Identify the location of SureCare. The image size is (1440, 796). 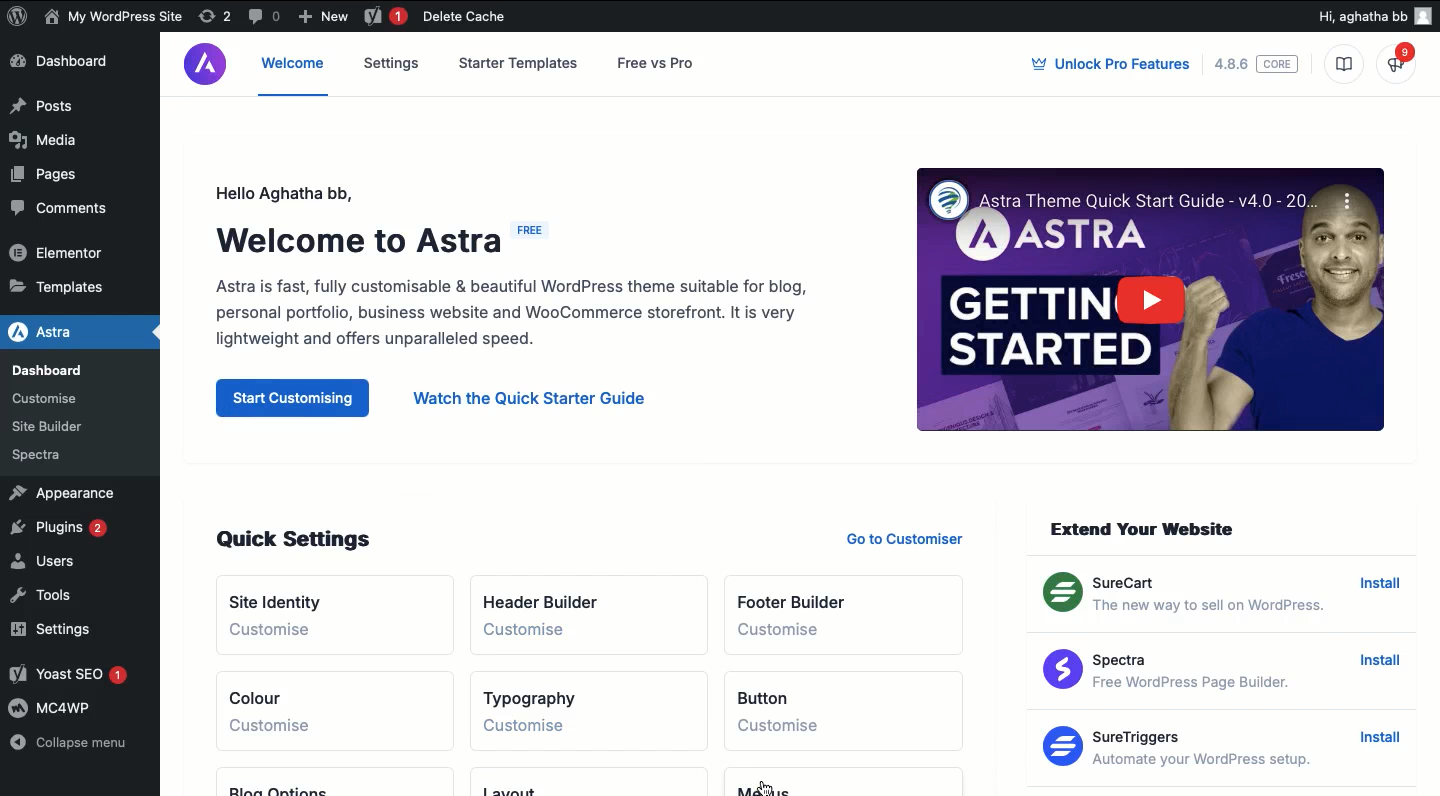
(1186, 597).